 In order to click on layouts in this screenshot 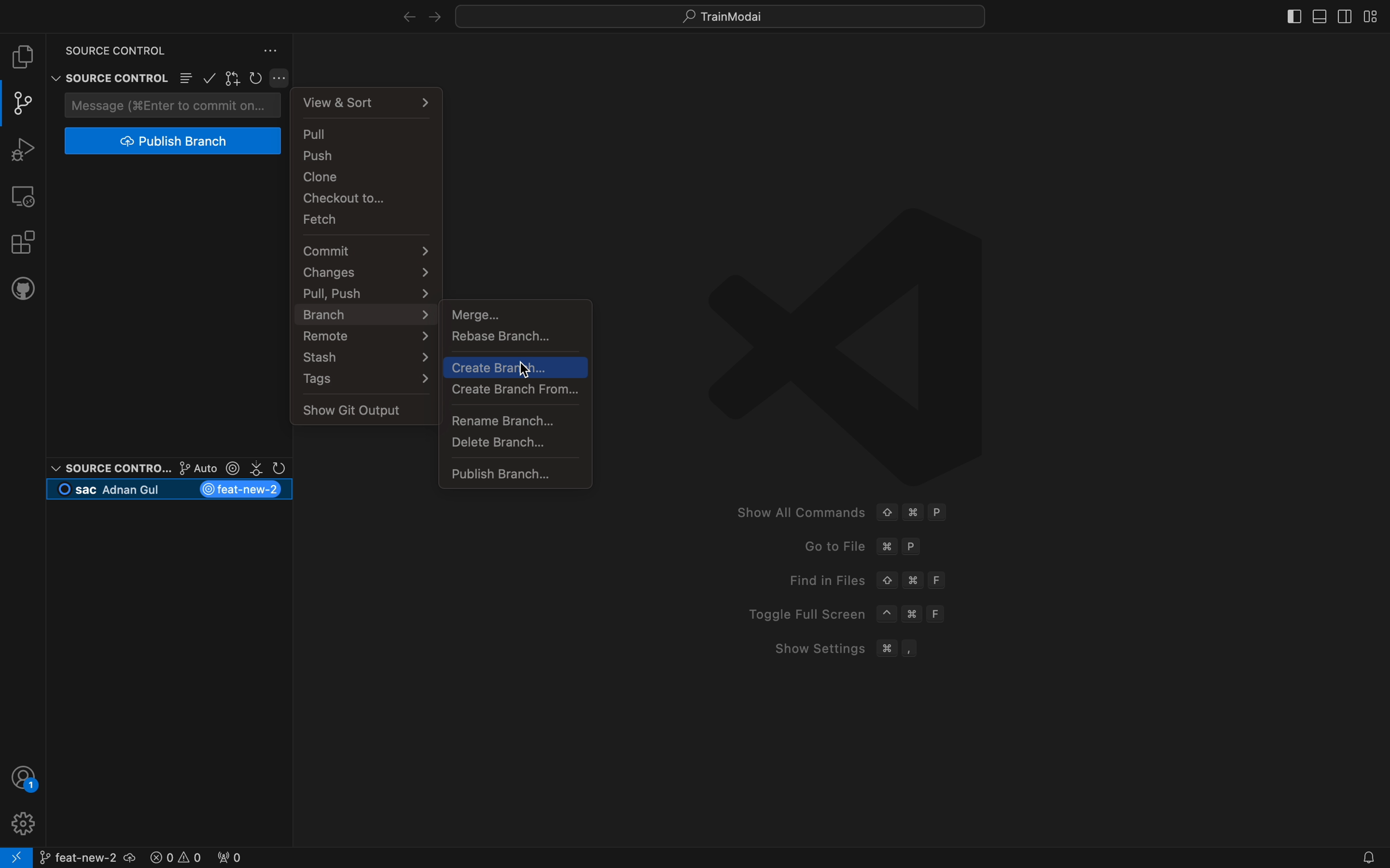, I will do `click(1326, 15)`.